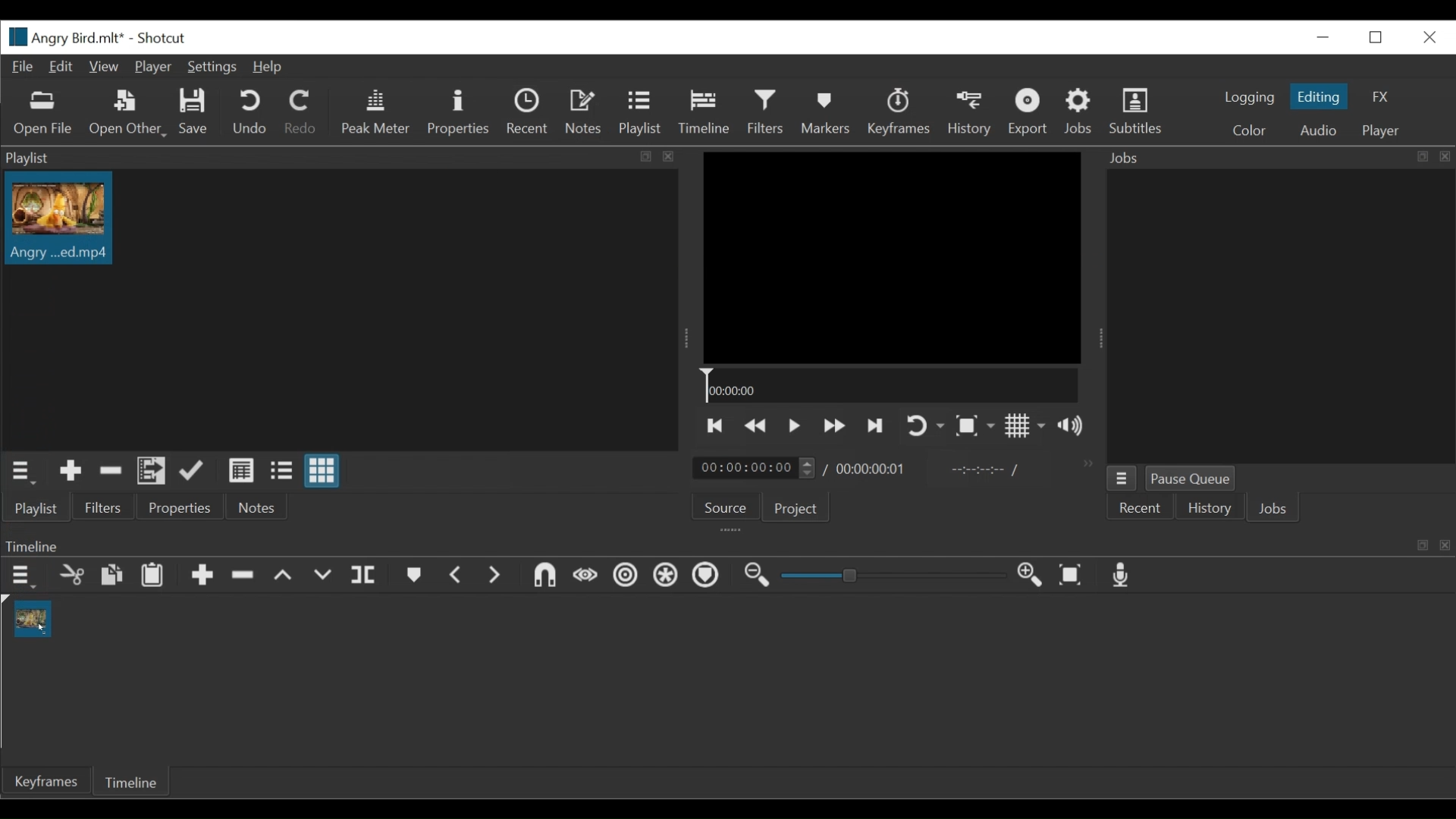  Describe the element at coordinates (289, 576) in the screenshot. I see `up` at that location.